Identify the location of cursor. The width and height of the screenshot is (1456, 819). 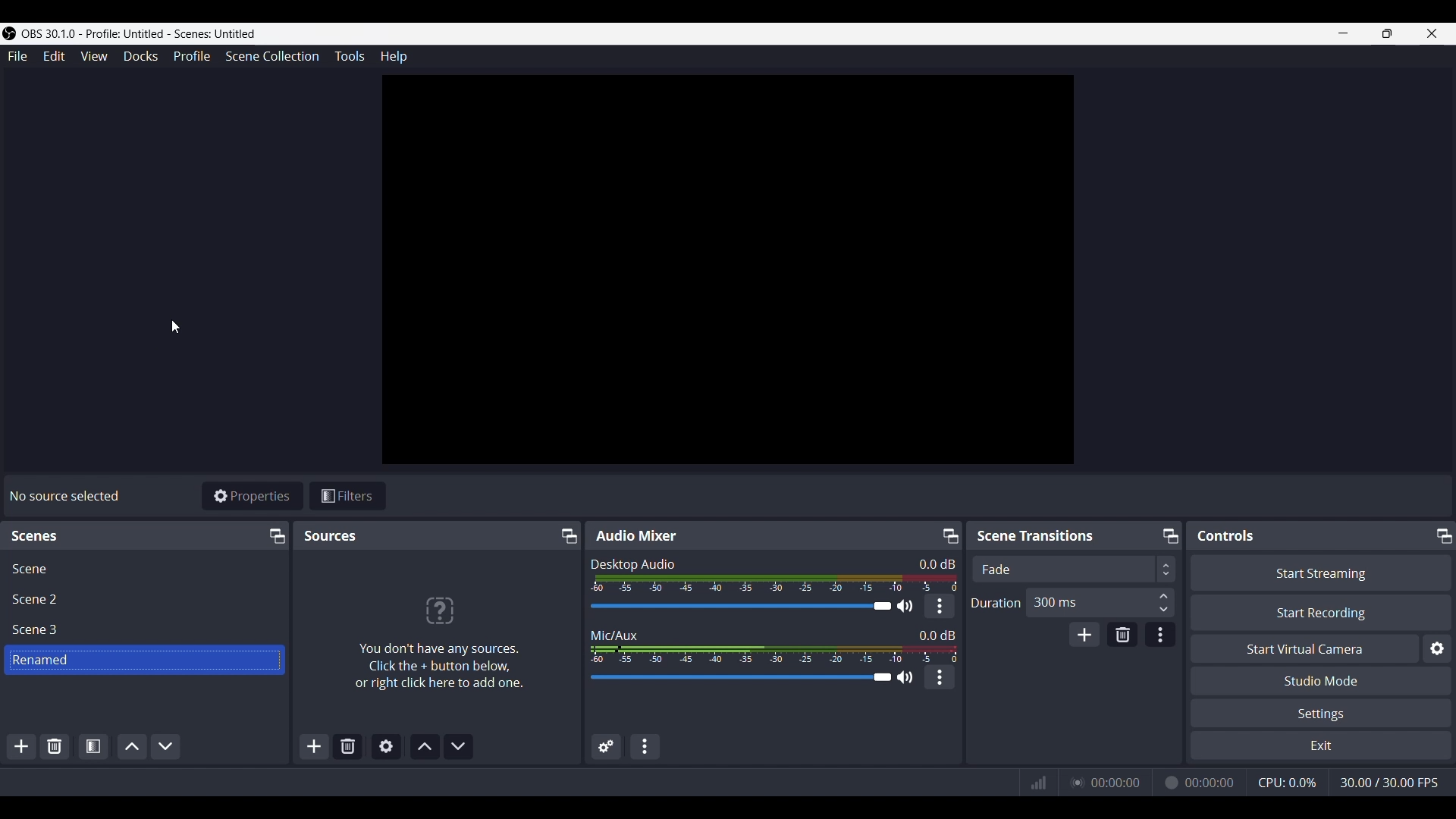
(177, 325).